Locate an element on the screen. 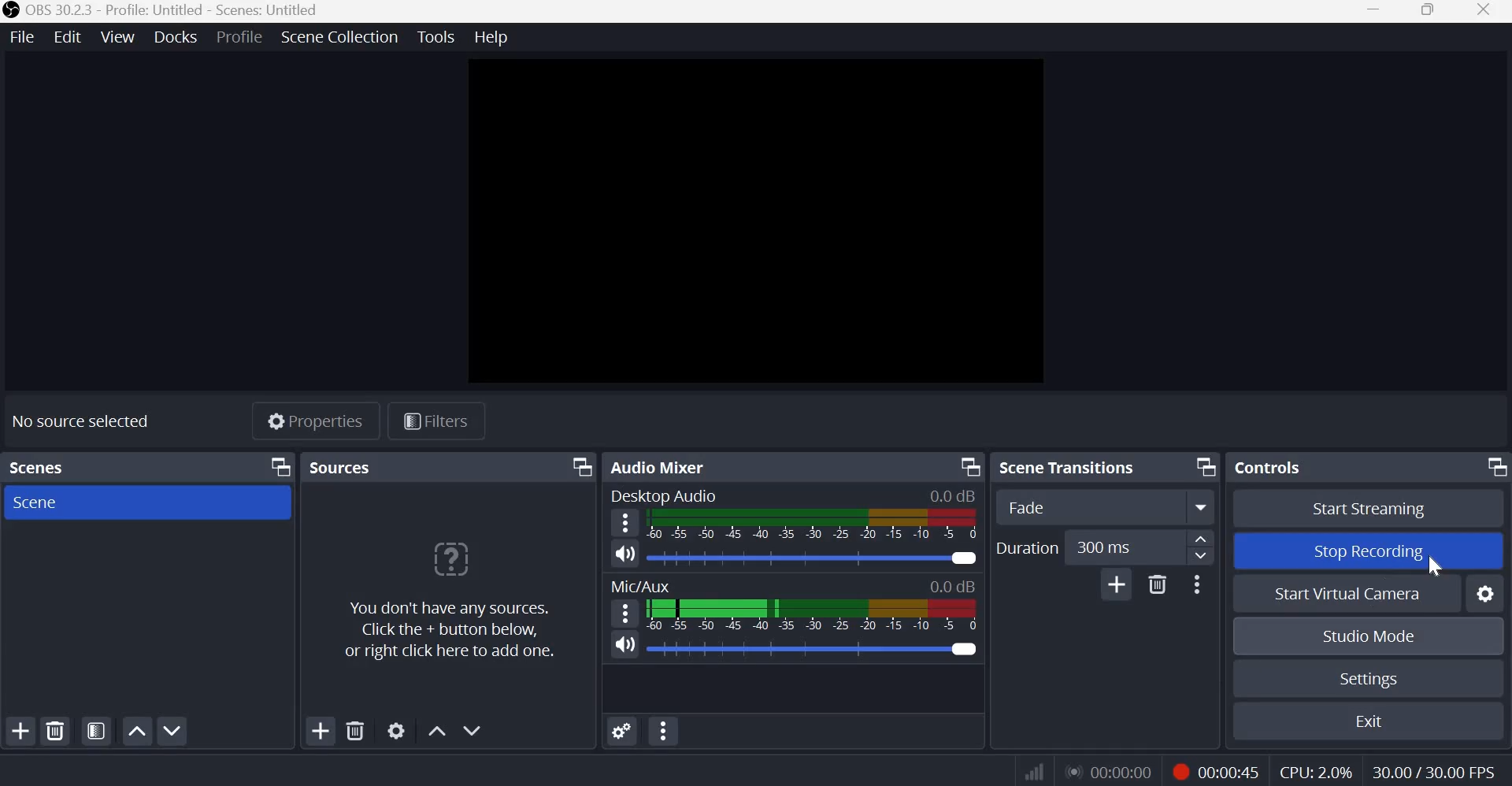 The image size is (1512, 786). Sources is located at coordinates (343, 469).